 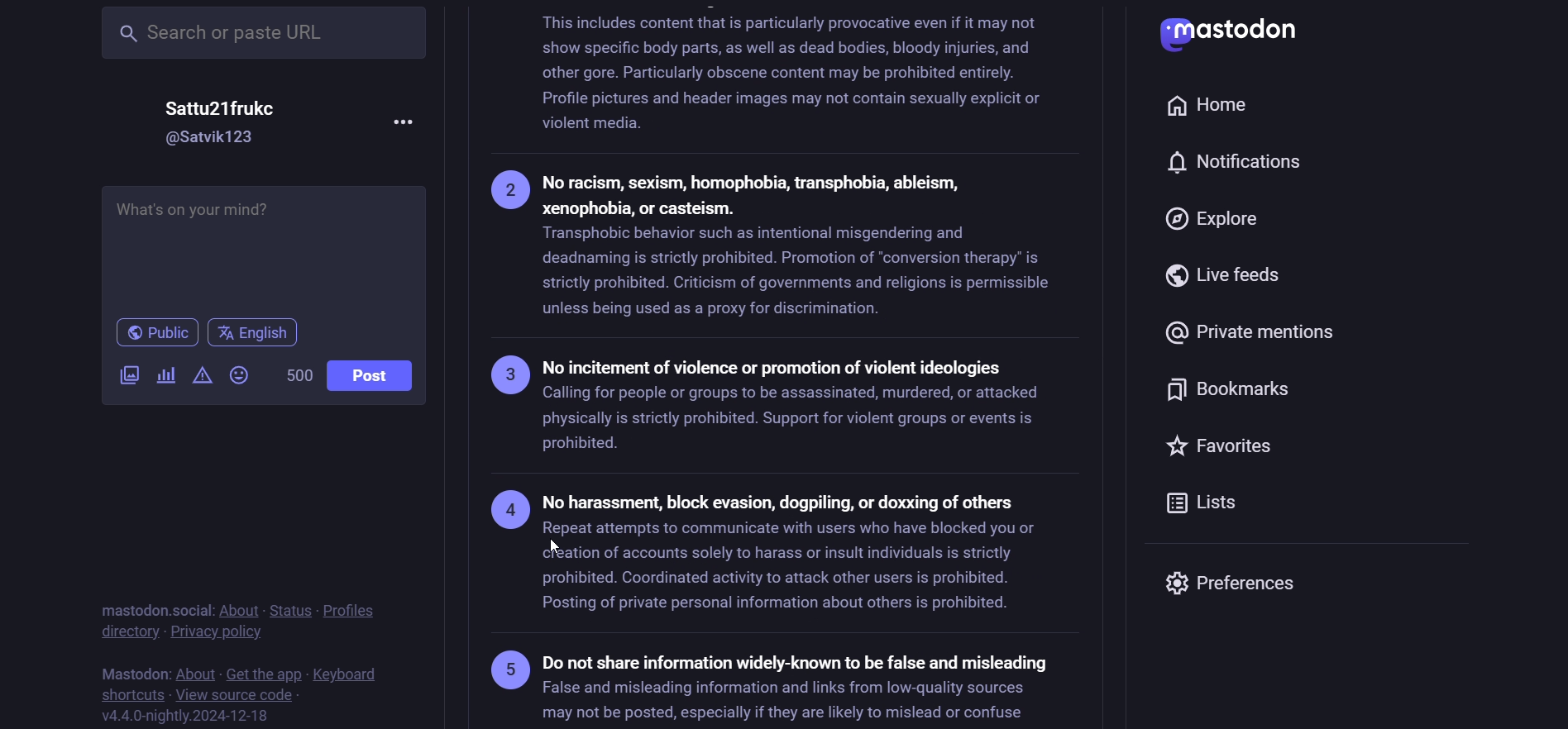 What do you see at coordinates (1241, 34) in the screenshot?
I see `logo` at bounding box center [1241, 34].